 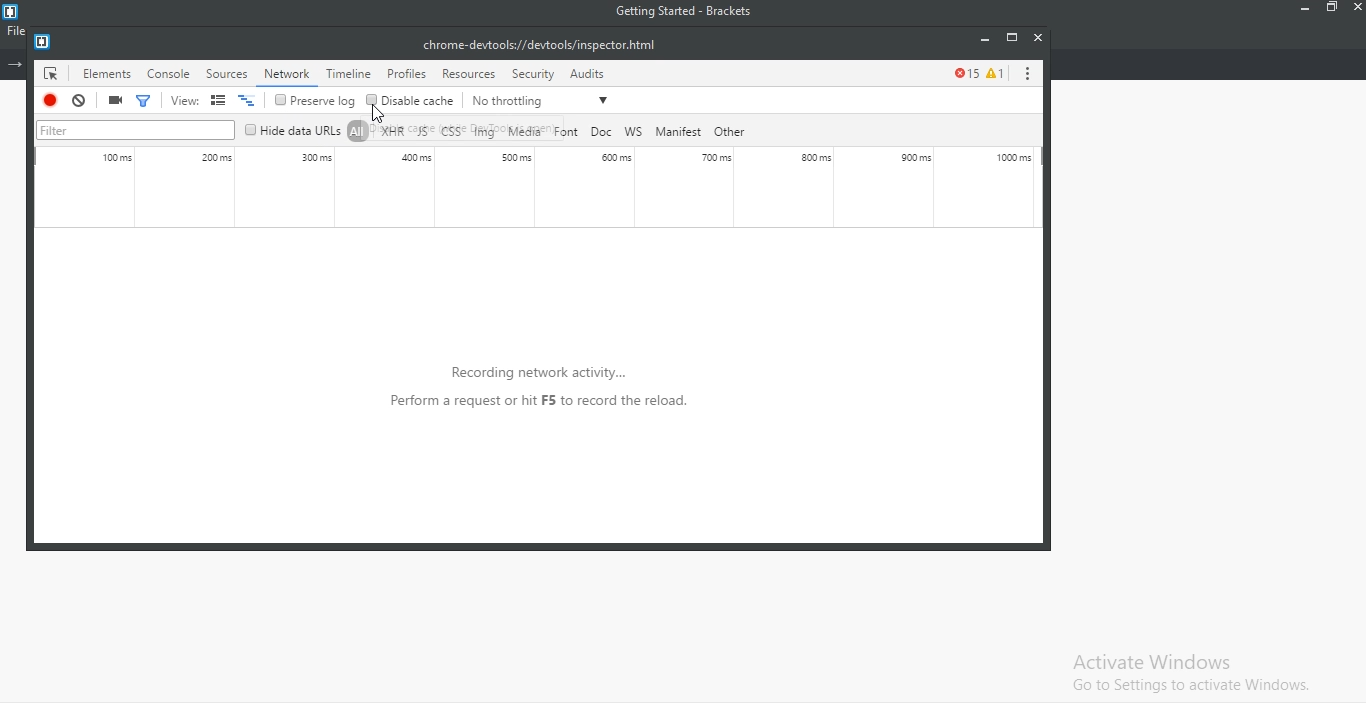 What do you see at coordinates (538, 44) in the screenshot?
I see `file link` at bounding box center [538, 44].